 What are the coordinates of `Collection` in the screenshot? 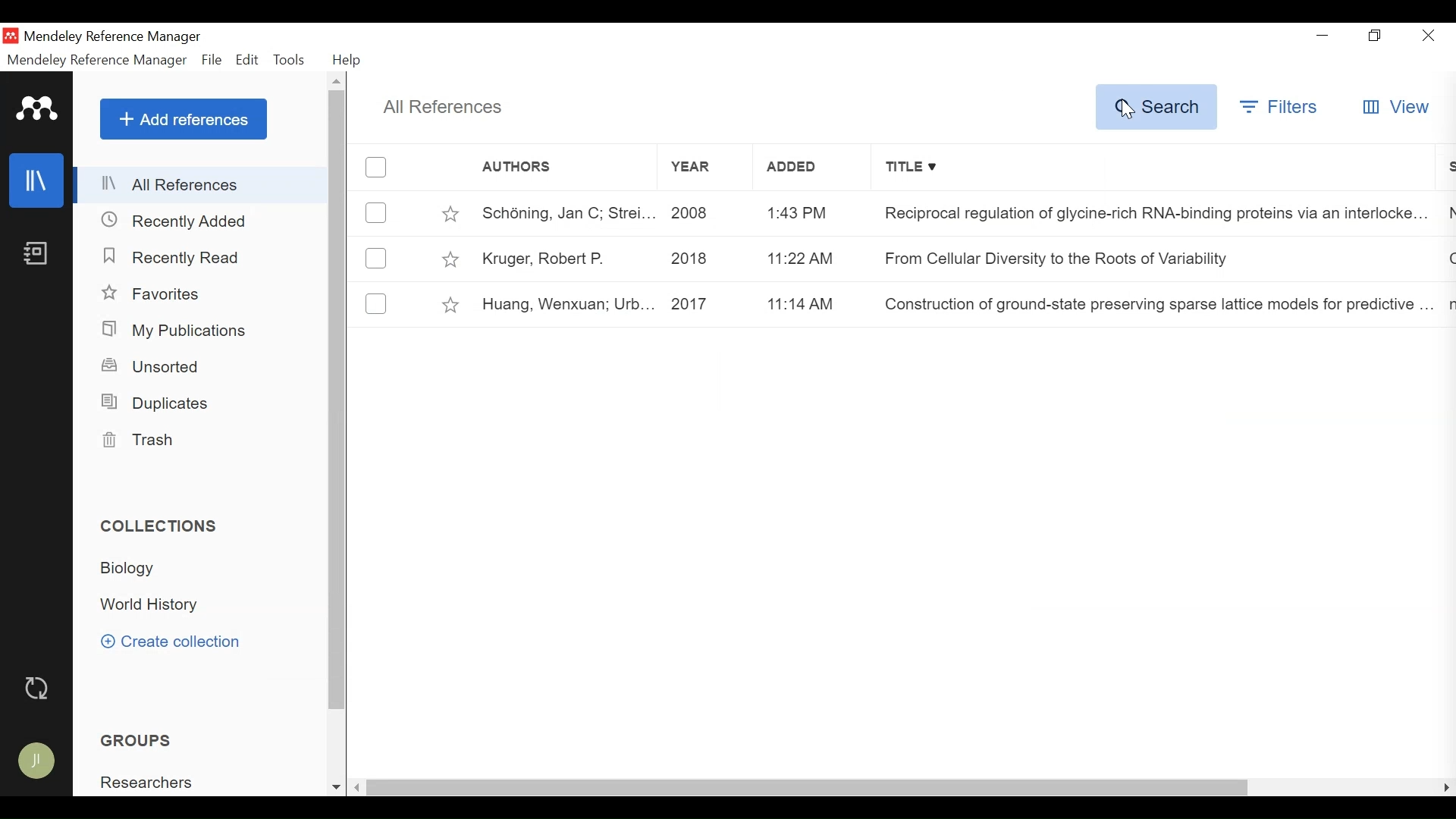 It's located at (153, 604).